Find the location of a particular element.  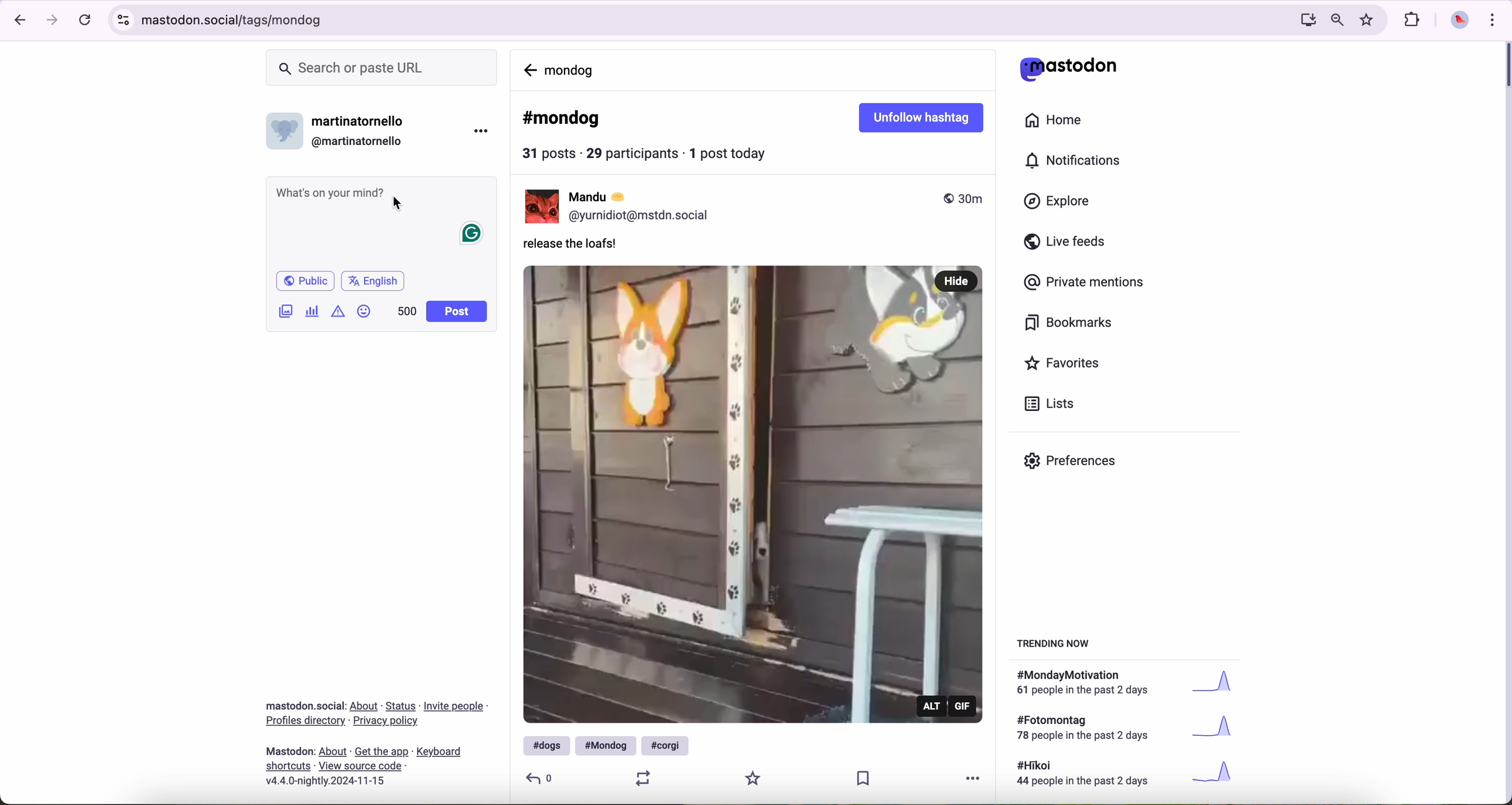

link is located at coordinates (360, 765).